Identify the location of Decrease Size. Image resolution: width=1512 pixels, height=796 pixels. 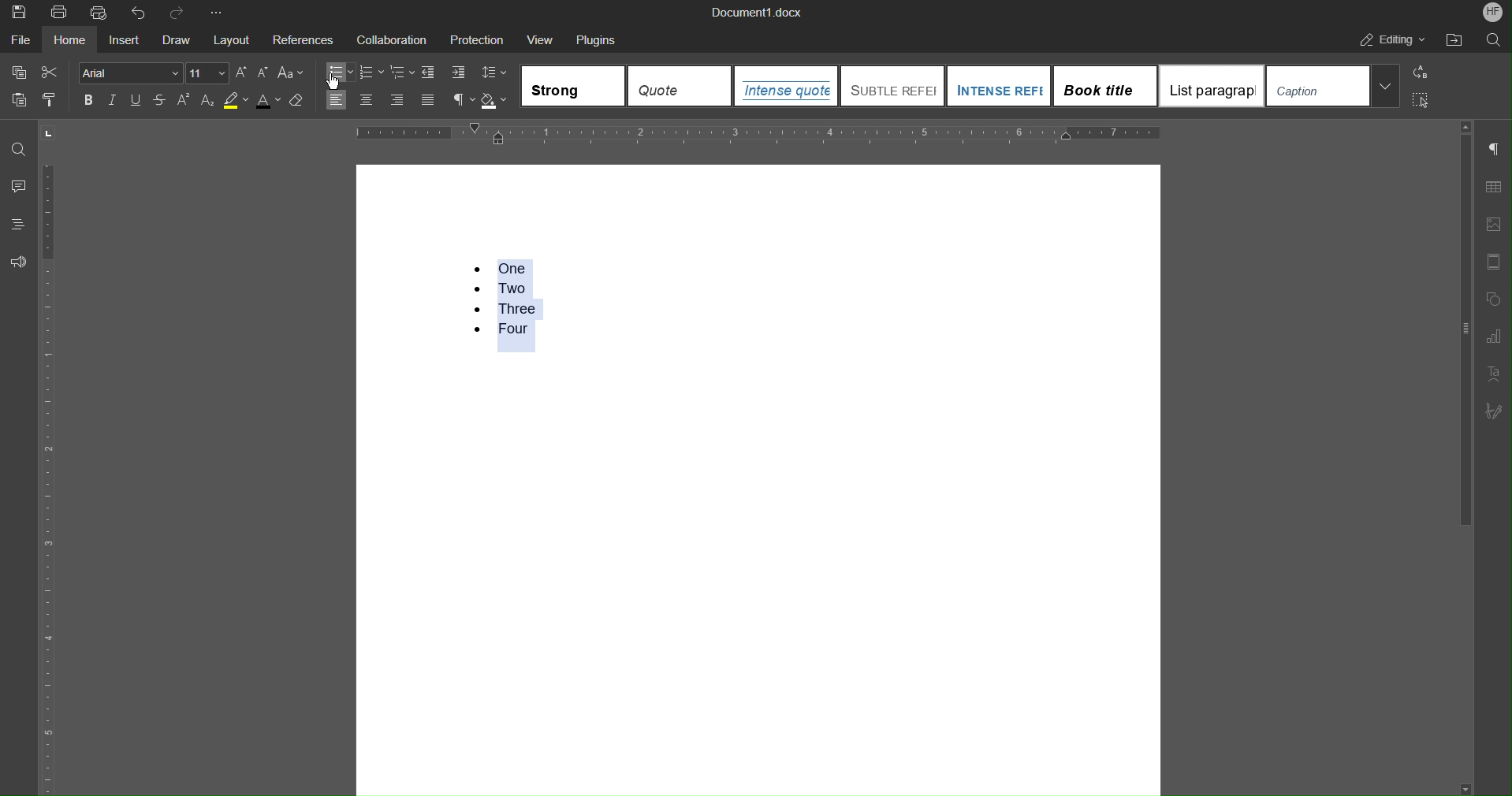
(261, 74).